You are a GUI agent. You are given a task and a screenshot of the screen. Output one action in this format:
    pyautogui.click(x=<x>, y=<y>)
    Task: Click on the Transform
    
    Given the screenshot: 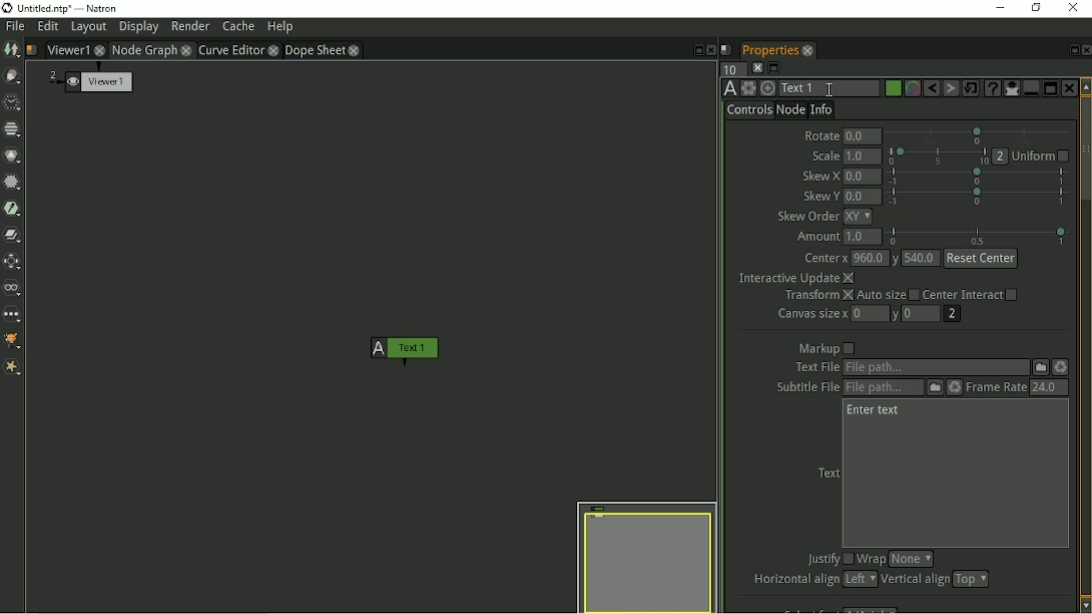 What is the action you would take?
    pyautogui.click(x=816, y=296)
    